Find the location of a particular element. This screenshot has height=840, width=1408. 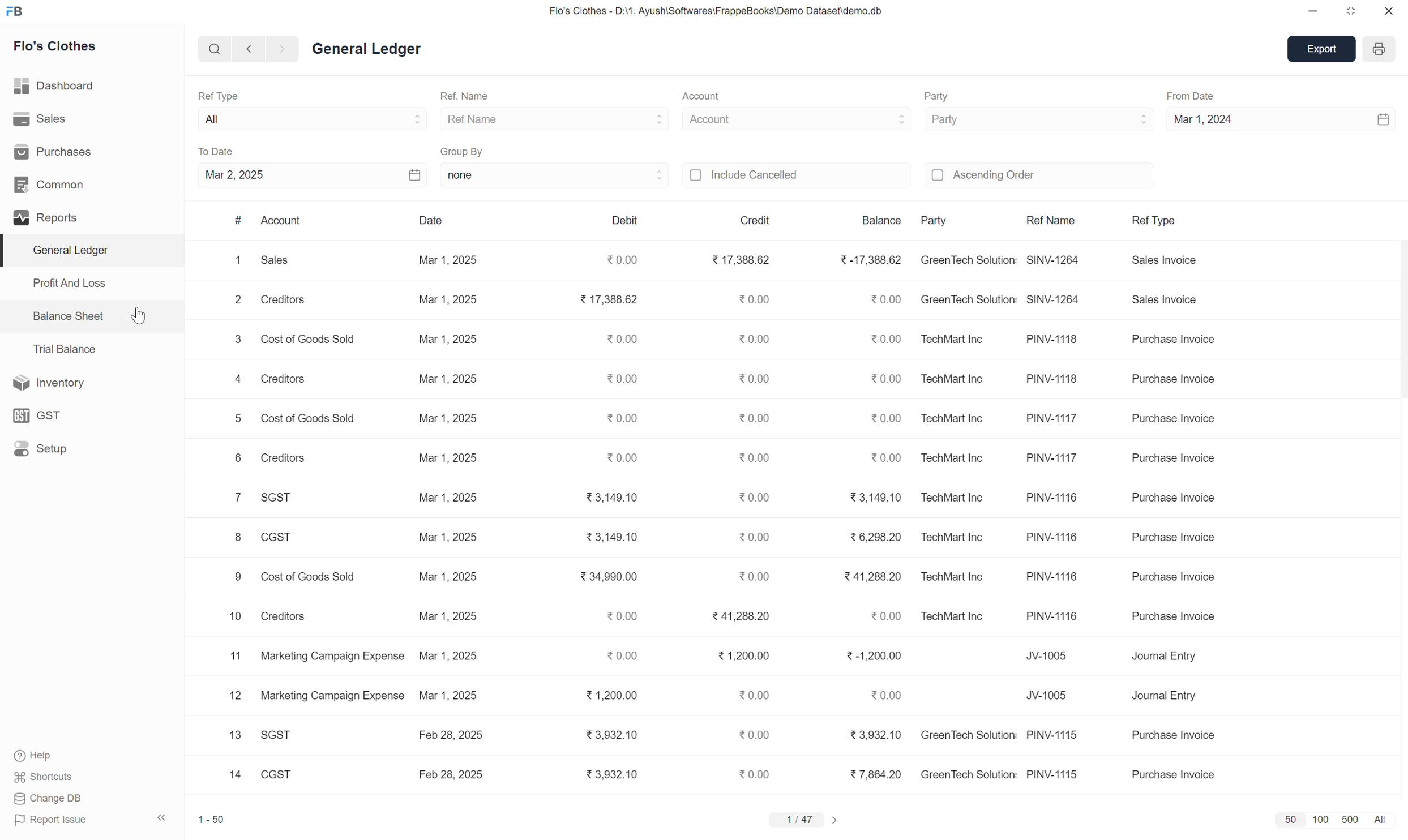

CGST is located at coordinates (281, 537).